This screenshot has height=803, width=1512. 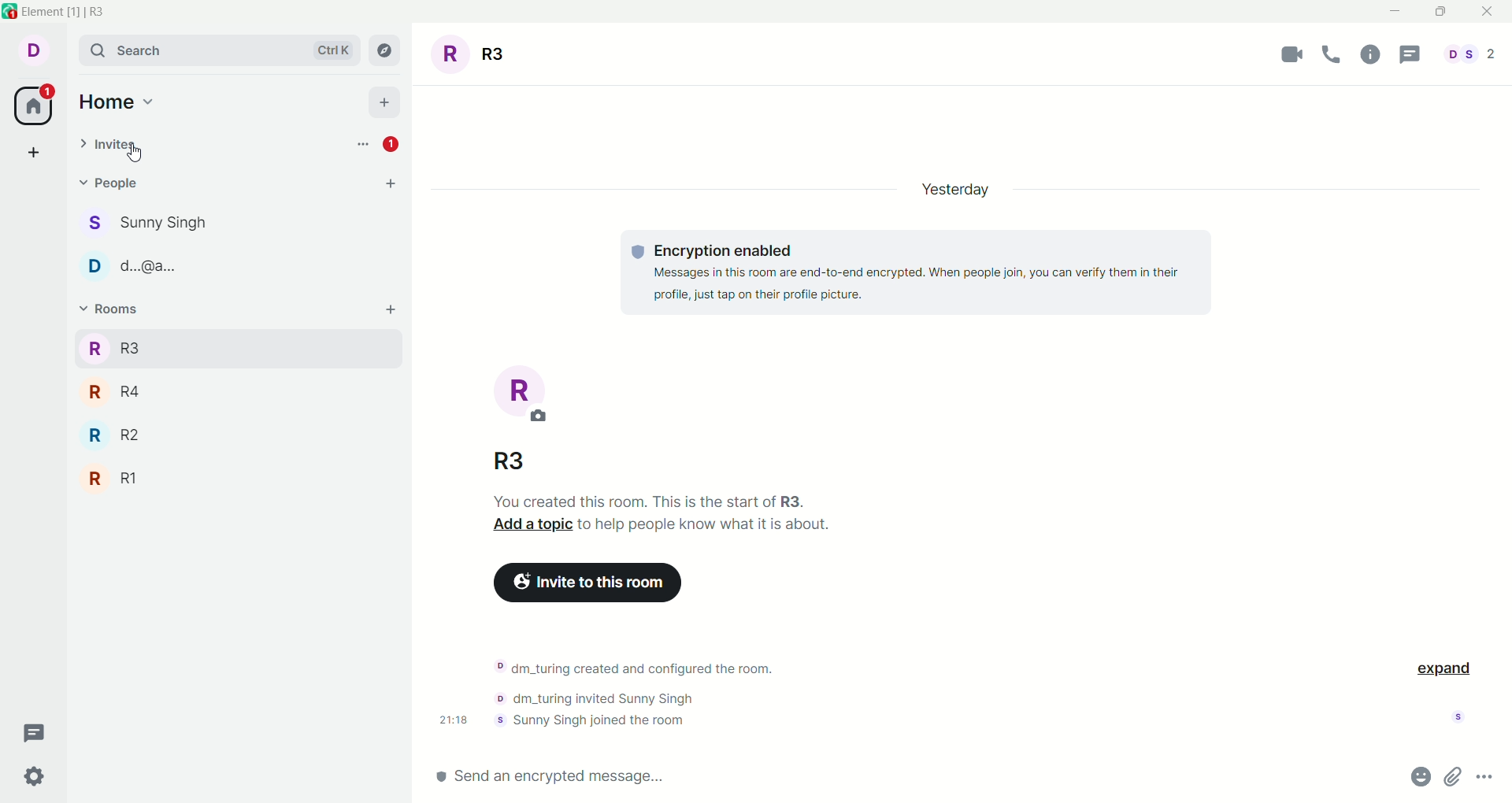 What do you see at coordinates (34, 50) in the screenshot?
I see `account` at bounding box center [34, 50].